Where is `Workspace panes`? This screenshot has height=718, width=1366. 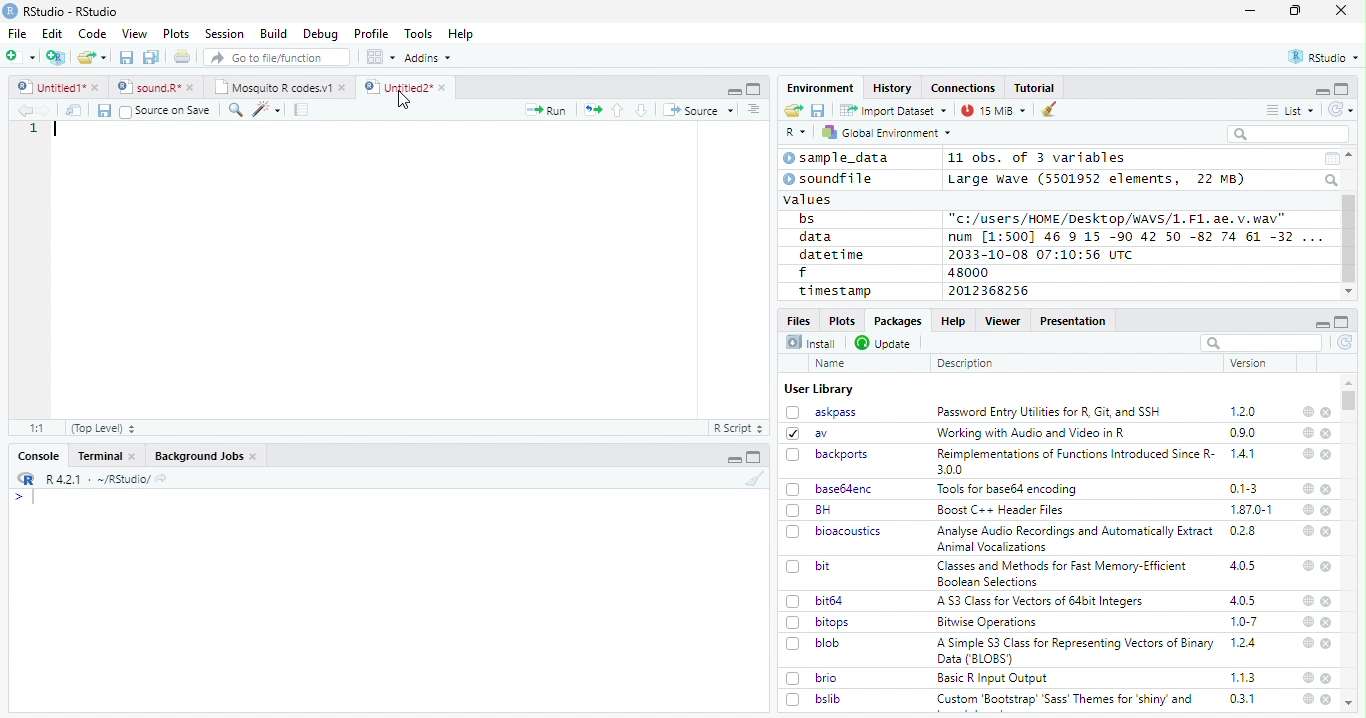
Workspace panes is located at coordinates (381, 57).